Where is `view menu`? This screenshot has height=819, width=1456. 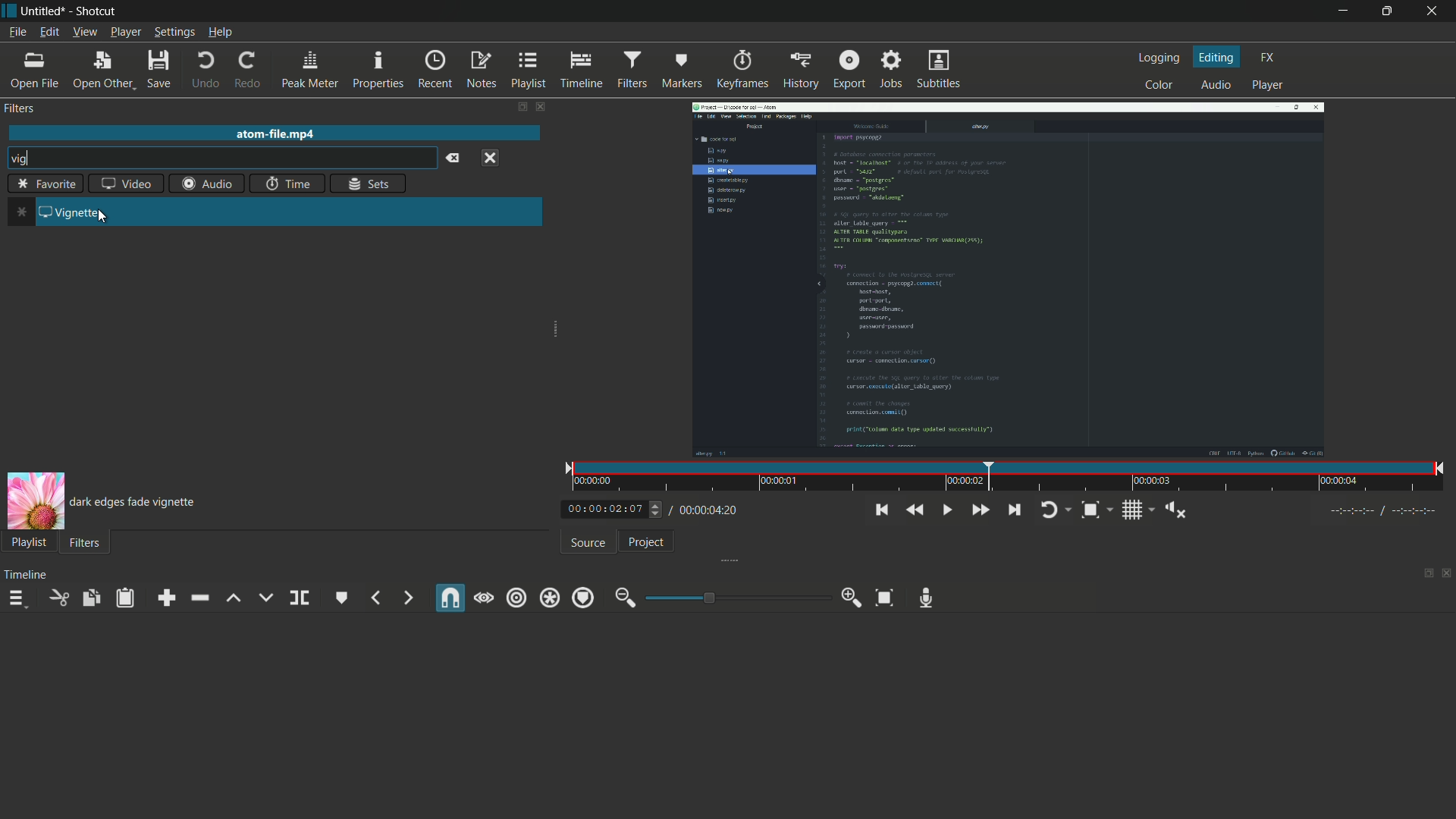 view menu is located at coordinates (85, 32).